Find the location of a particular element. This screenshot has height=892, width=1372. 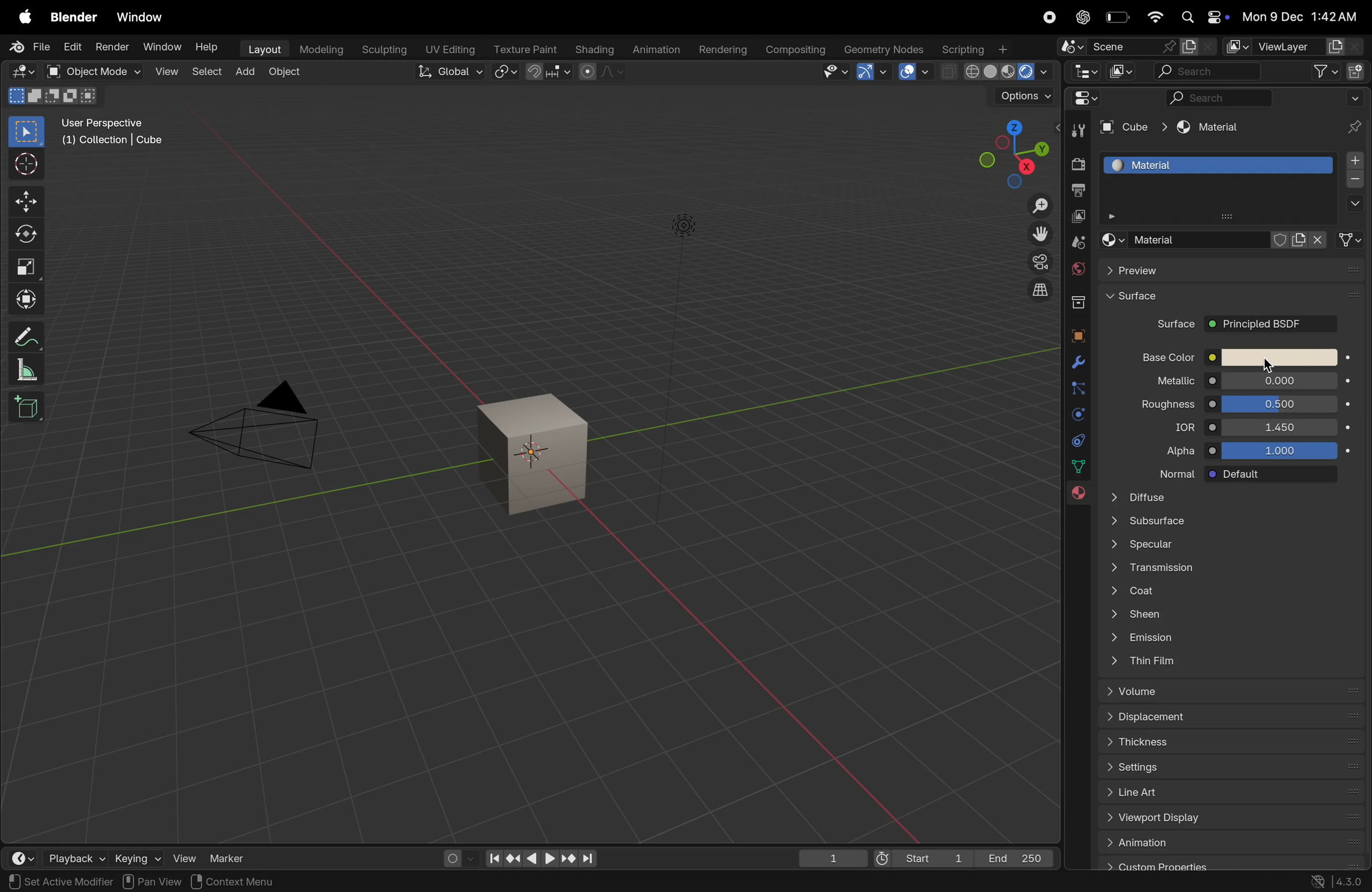

shading is located at coordinates (594, 50).